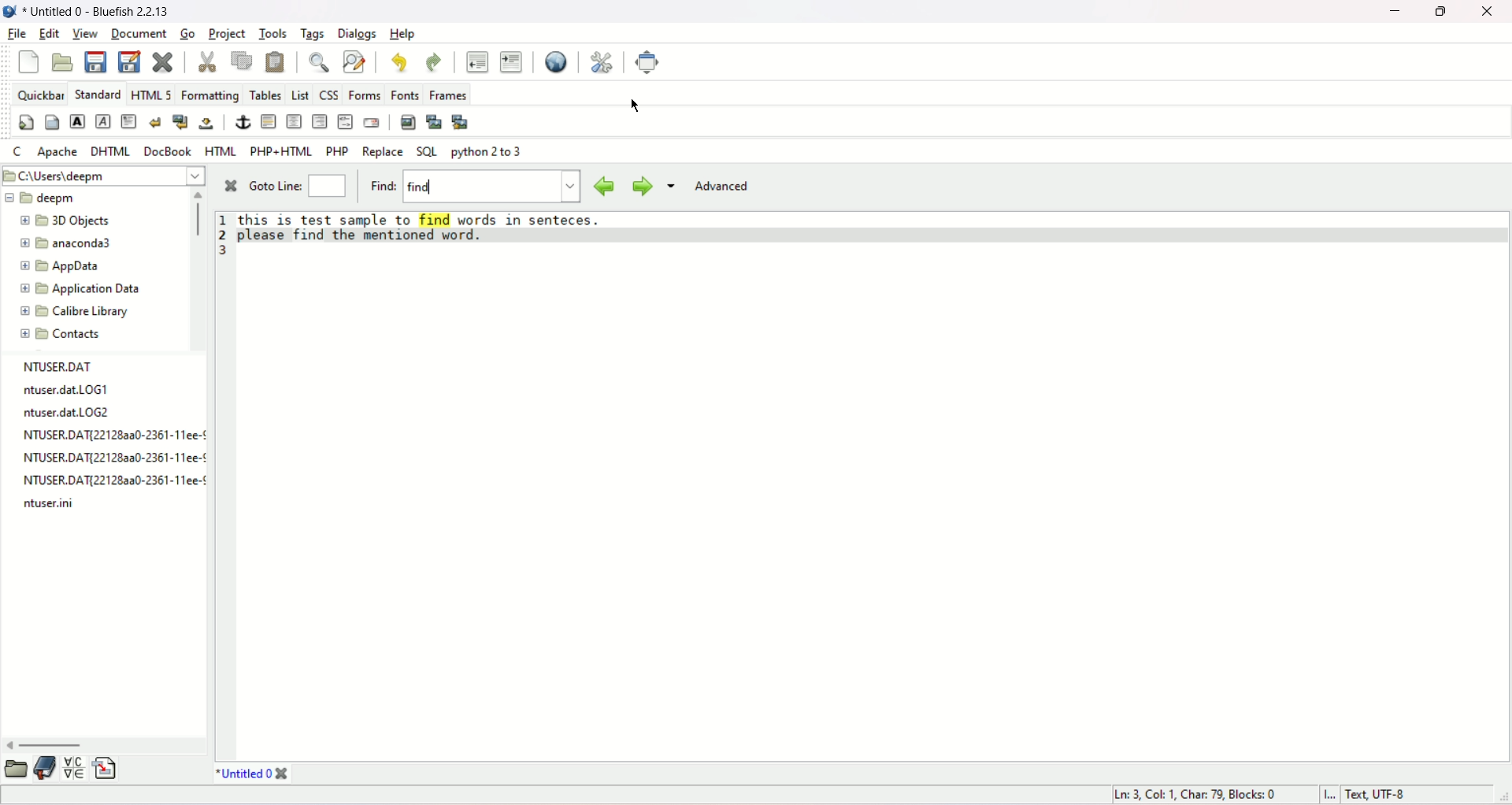 The image size is (1512, 805). I want to click on forms, so click(365, 94).